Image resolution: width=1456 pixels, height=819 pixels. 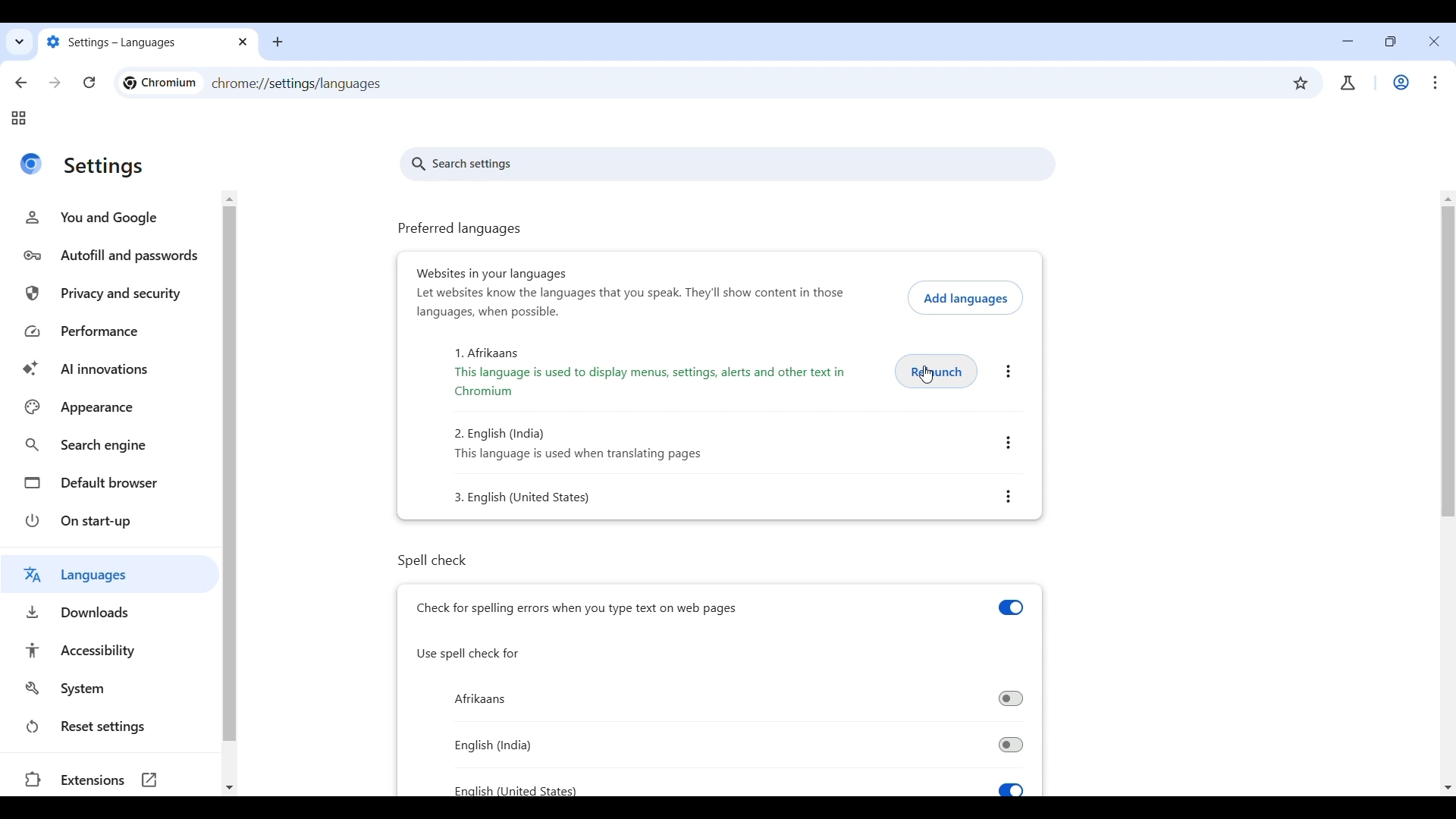 I want to click on use spell check for, so click(x=469, y=653).